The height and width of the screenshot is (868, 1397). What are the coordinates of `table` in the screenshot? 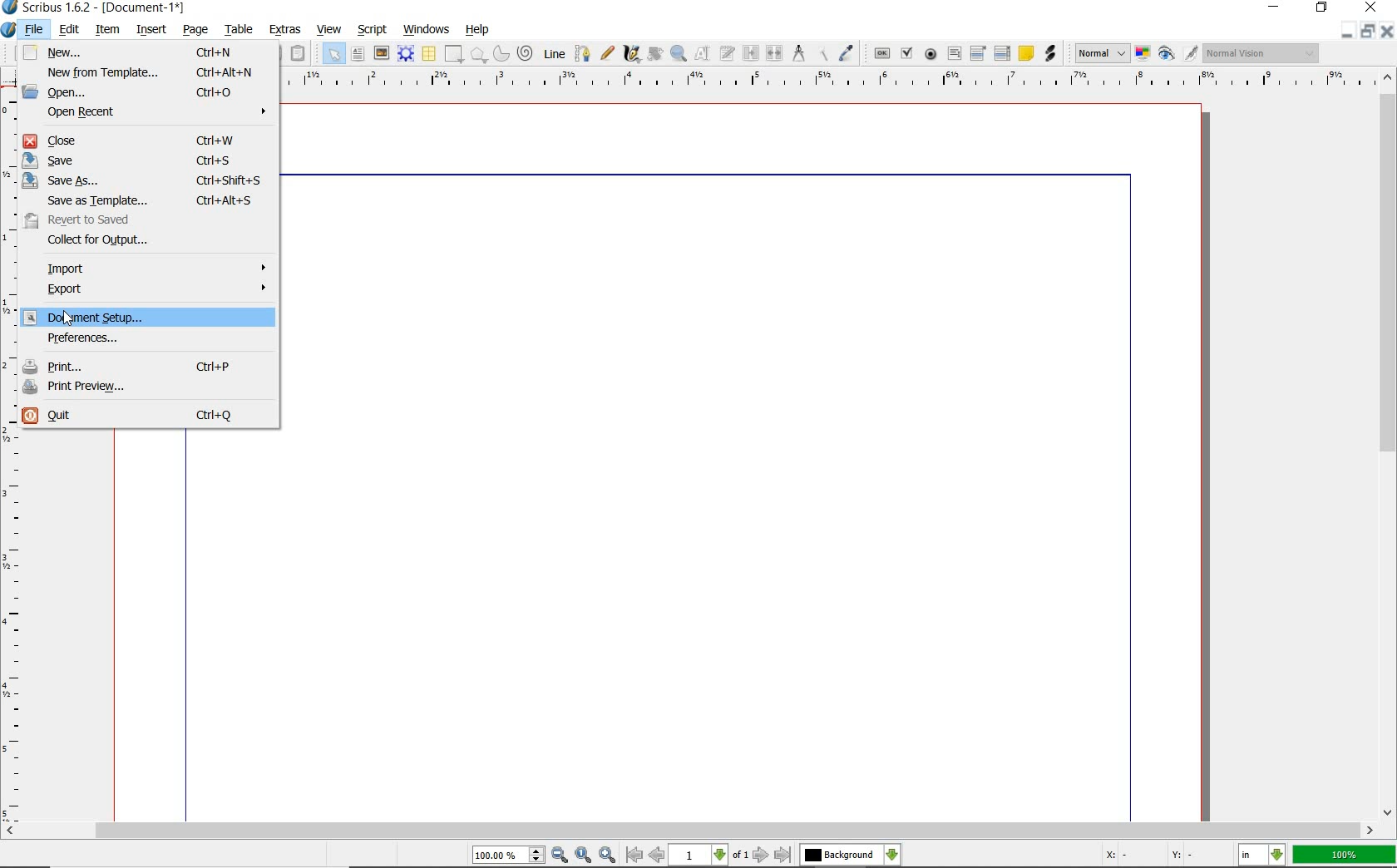 It's located at (239, 29).